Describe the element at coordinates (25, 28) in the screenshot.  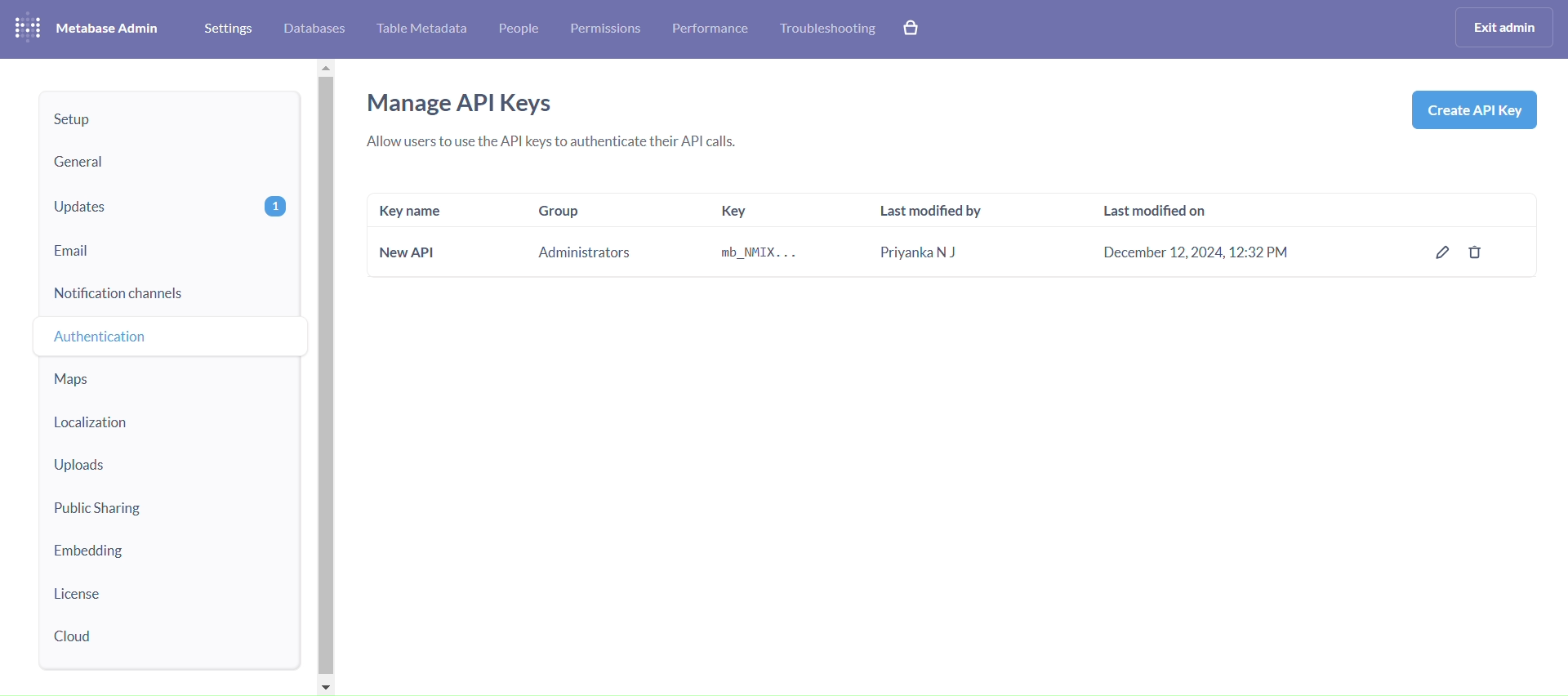
I see `logo` at that location.